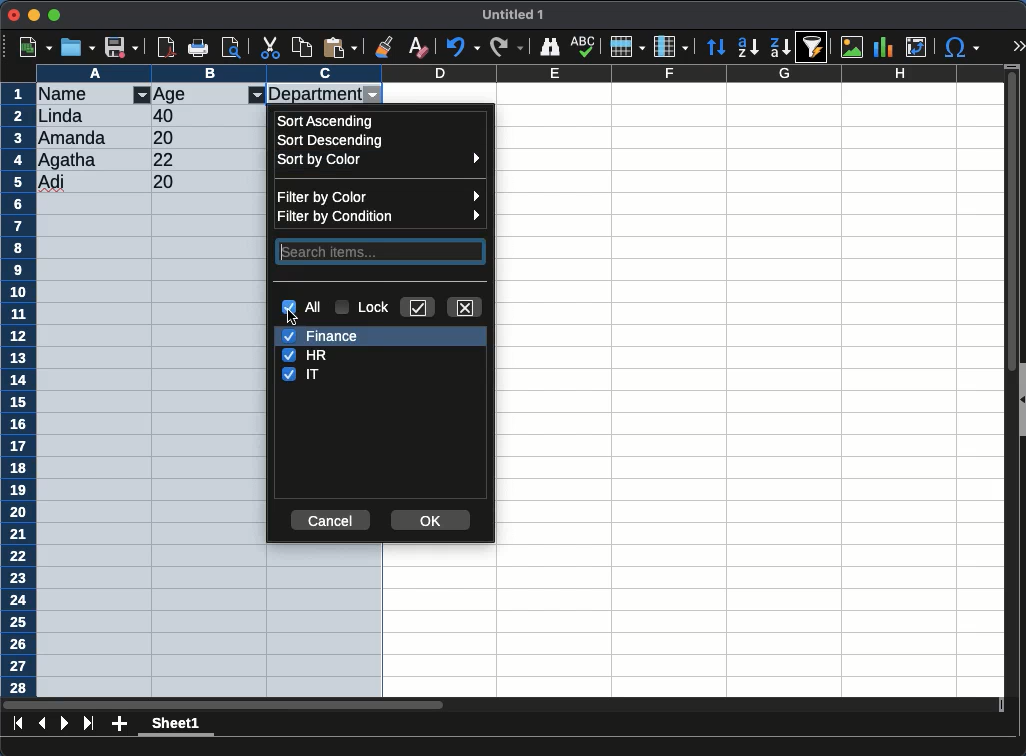 Image resolution: width=1026 pixels, height=756 pixels. I want to click on cut, so click(271, 47).